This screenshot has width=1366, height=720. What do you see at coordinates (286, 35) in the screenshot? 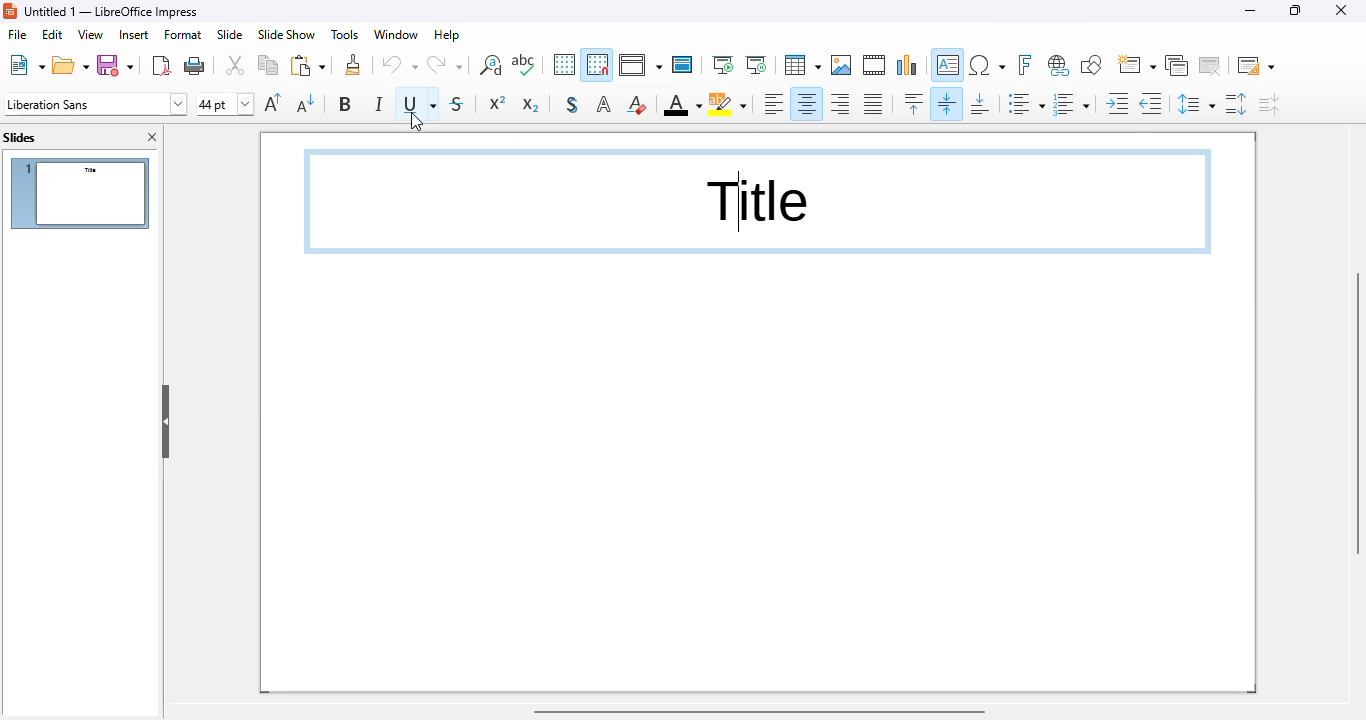
I see `slide show` at bounding box center [286, 35].